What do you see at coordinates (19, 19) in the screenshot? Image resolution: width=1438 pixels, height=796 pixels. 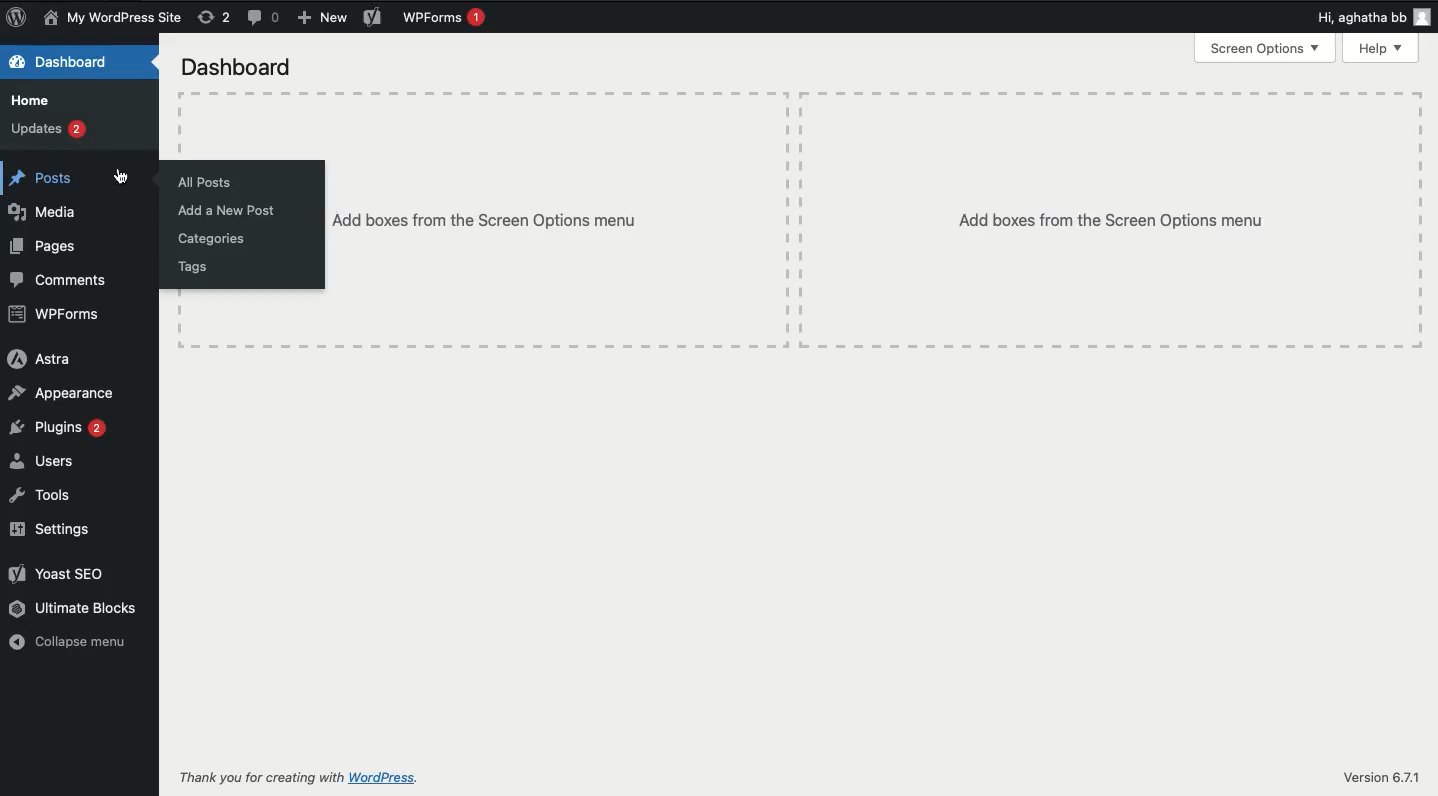 I see `Logo` at bounding box center [19, 19].